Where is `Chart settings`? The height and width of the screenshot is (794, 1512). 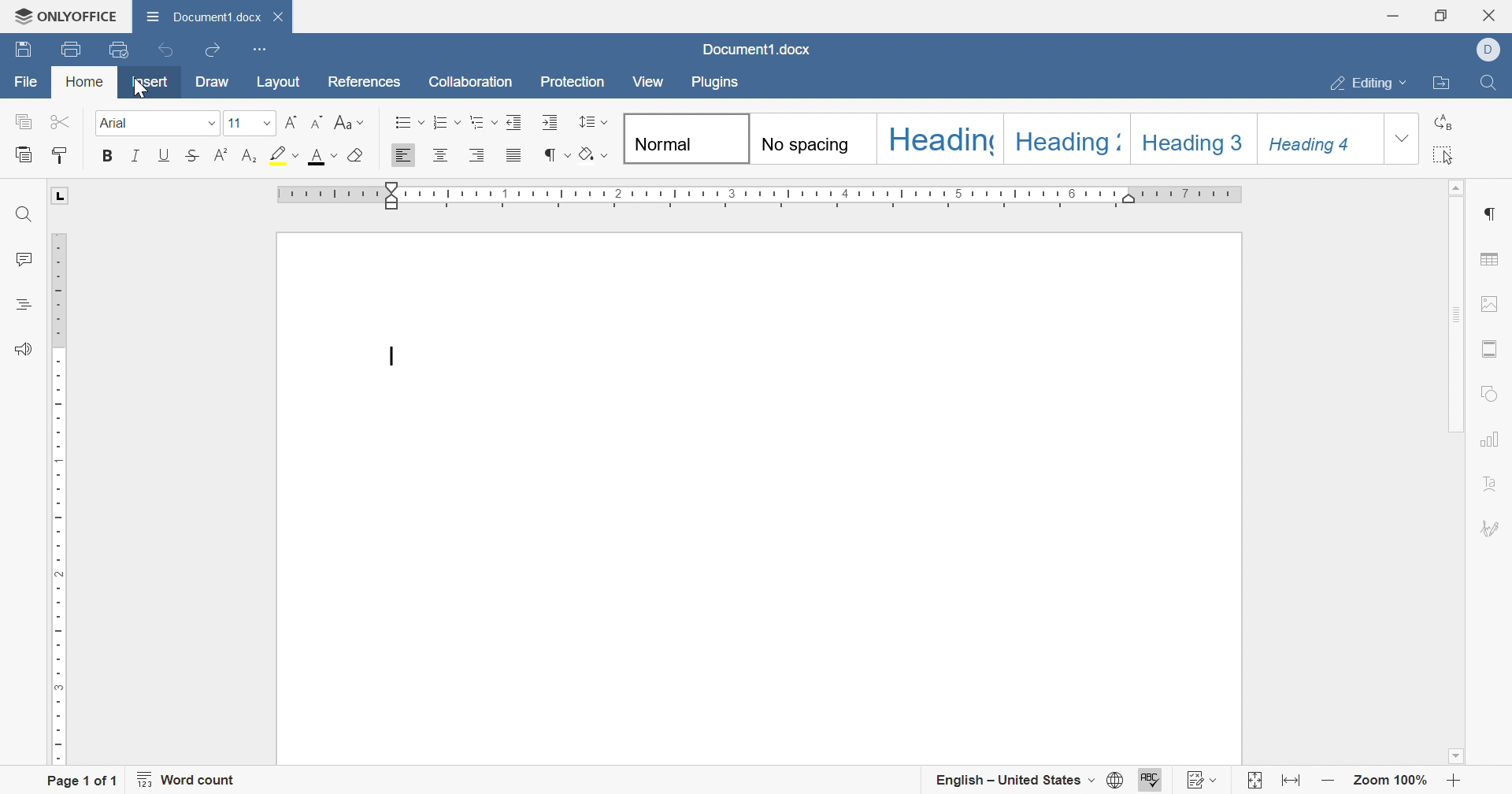 Chart settings is located at coordinates (1495, 439).